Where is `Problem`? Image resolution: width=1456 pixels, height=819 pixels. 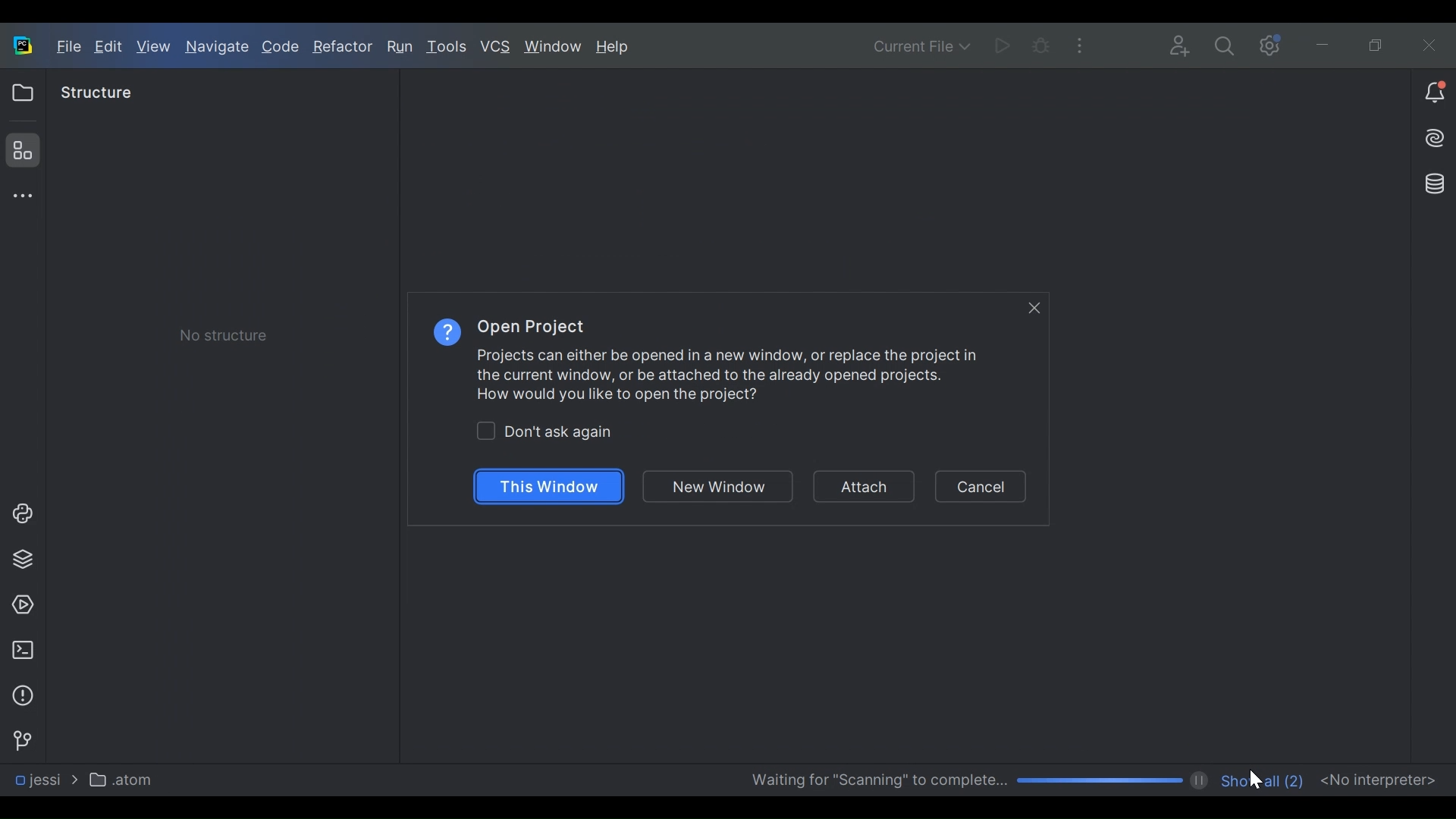
Problem is located at coordinates (22, 695).